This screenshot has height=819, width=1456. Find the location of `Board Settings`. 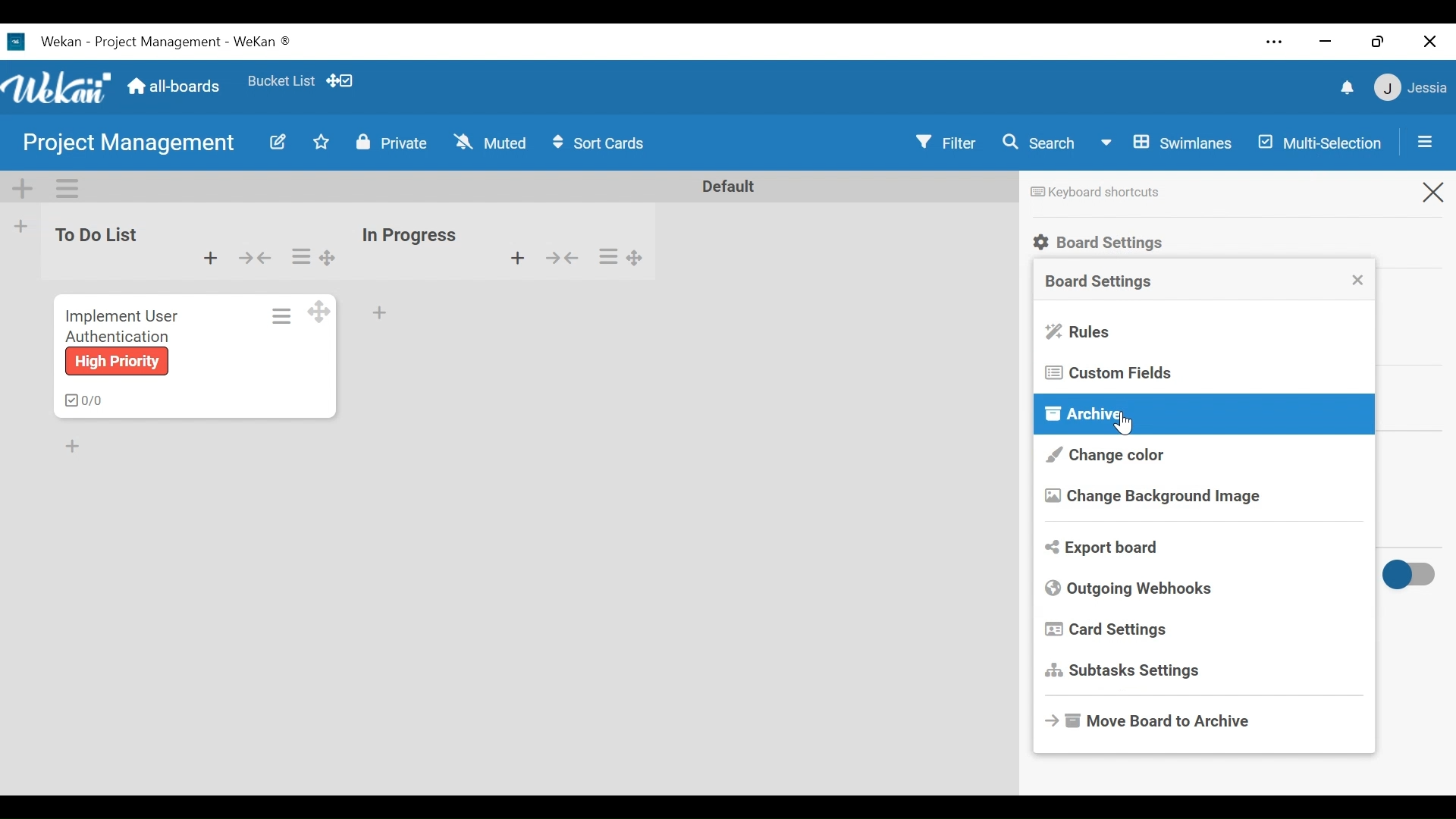

Board Settings is located at coordinates (1103, 241).